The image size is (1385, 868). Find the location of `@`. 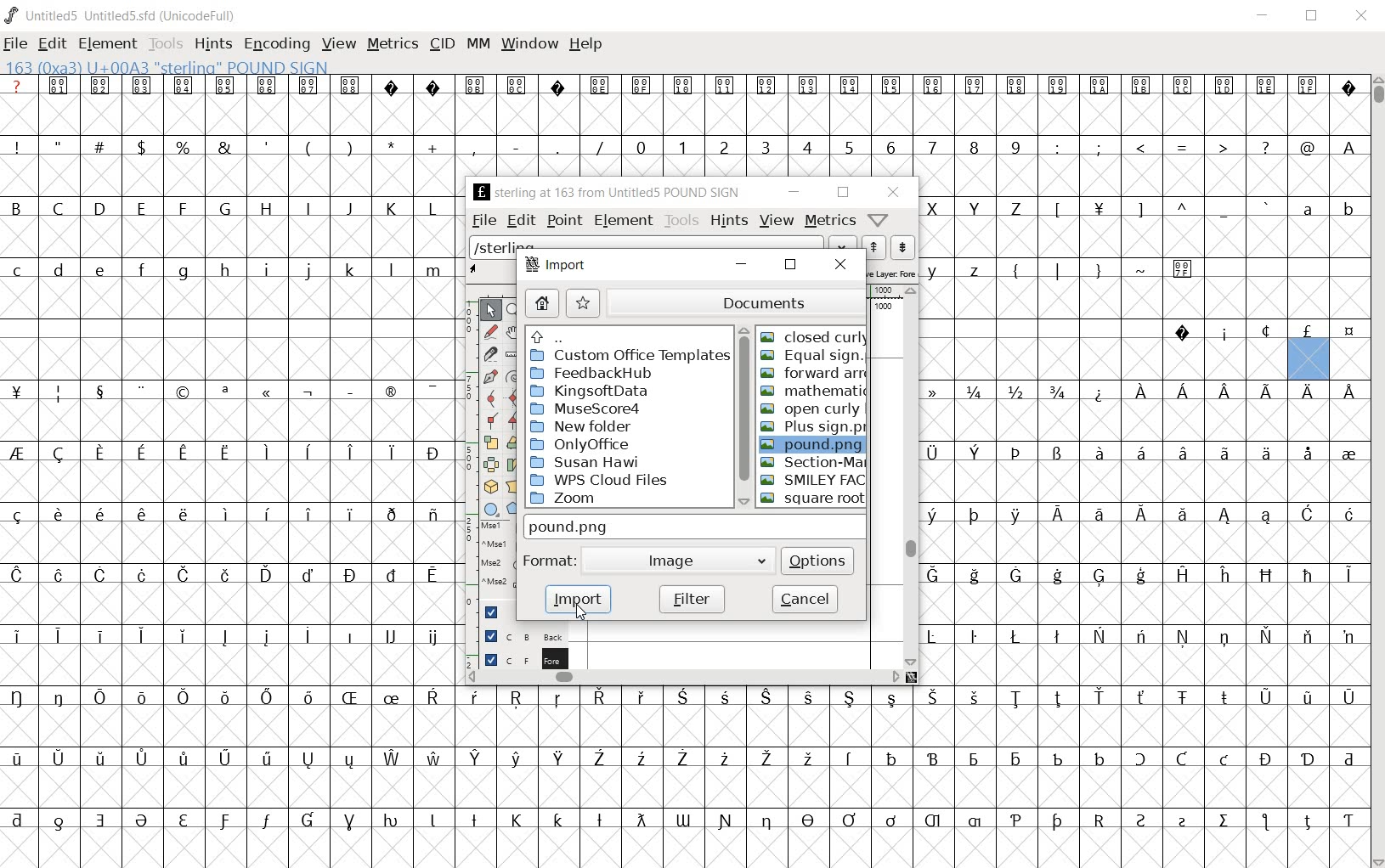

@ is located at coordinates (1307, 146).